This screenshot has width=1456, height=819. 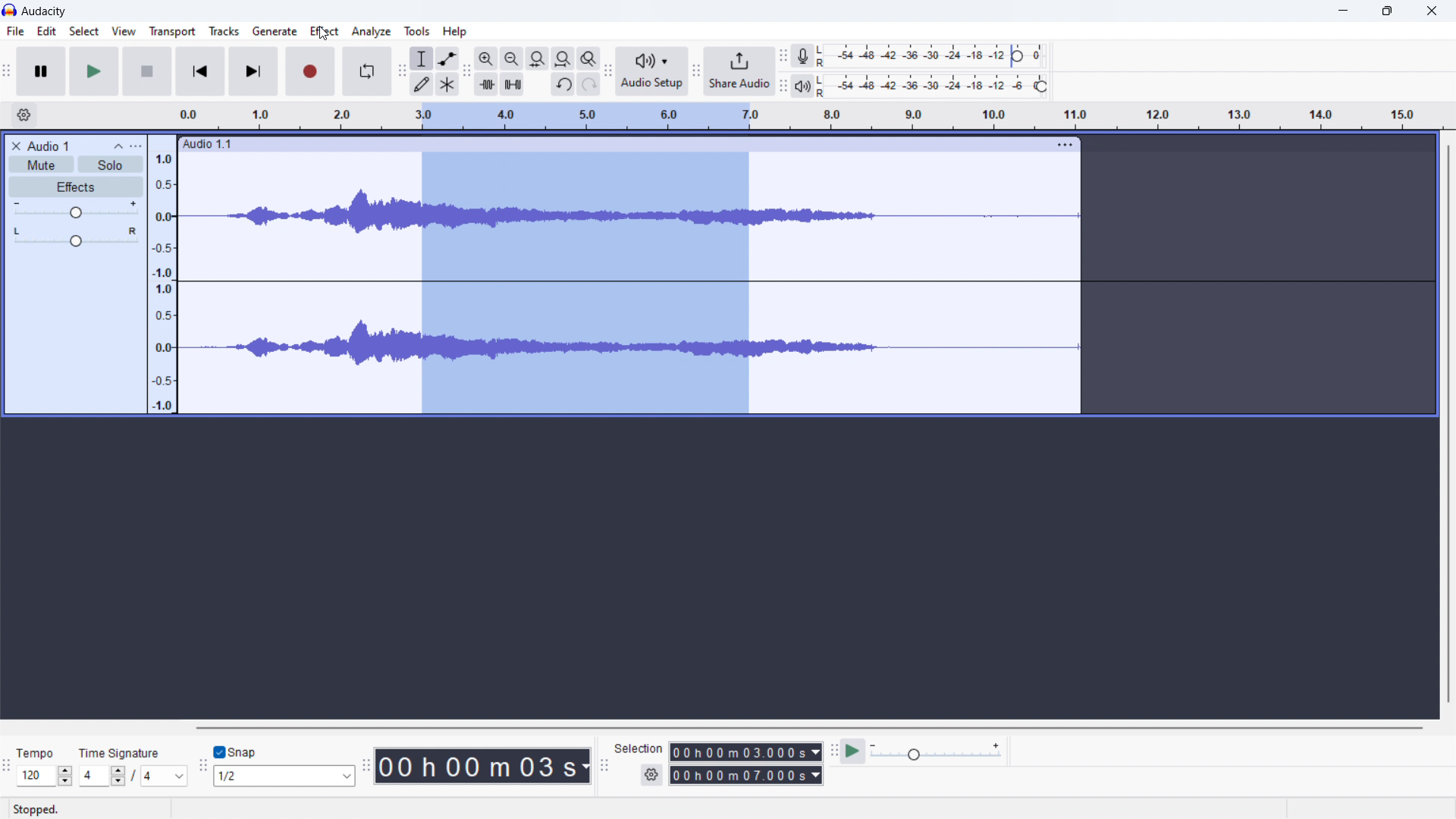 I want to click on play-at-speed toolbar, so click(x=835, y=750).